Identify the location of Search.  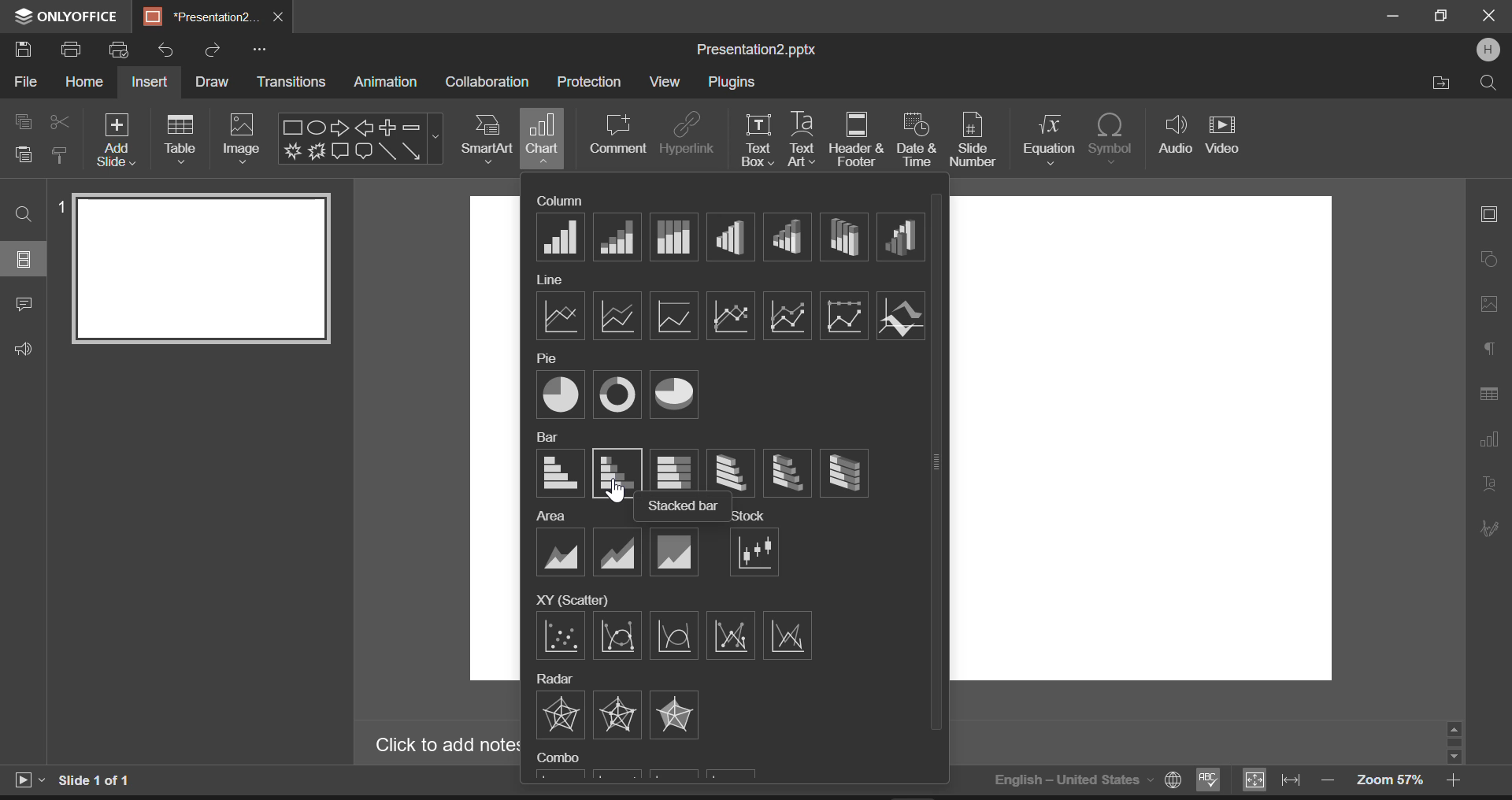
(1487, 82).